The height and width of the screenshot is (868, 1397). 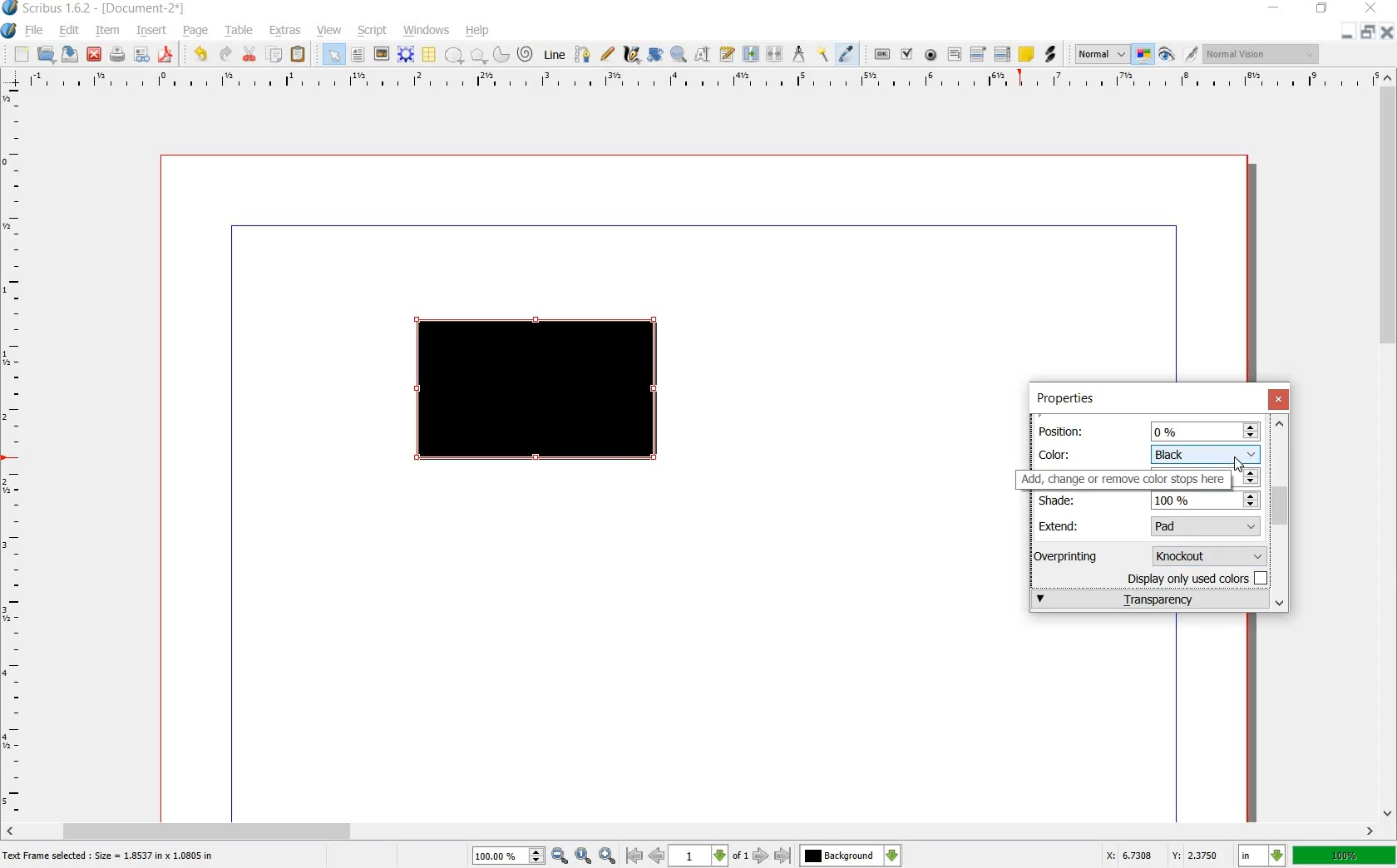 I want to click on gradient added to shape, so click(x=540, y=392).